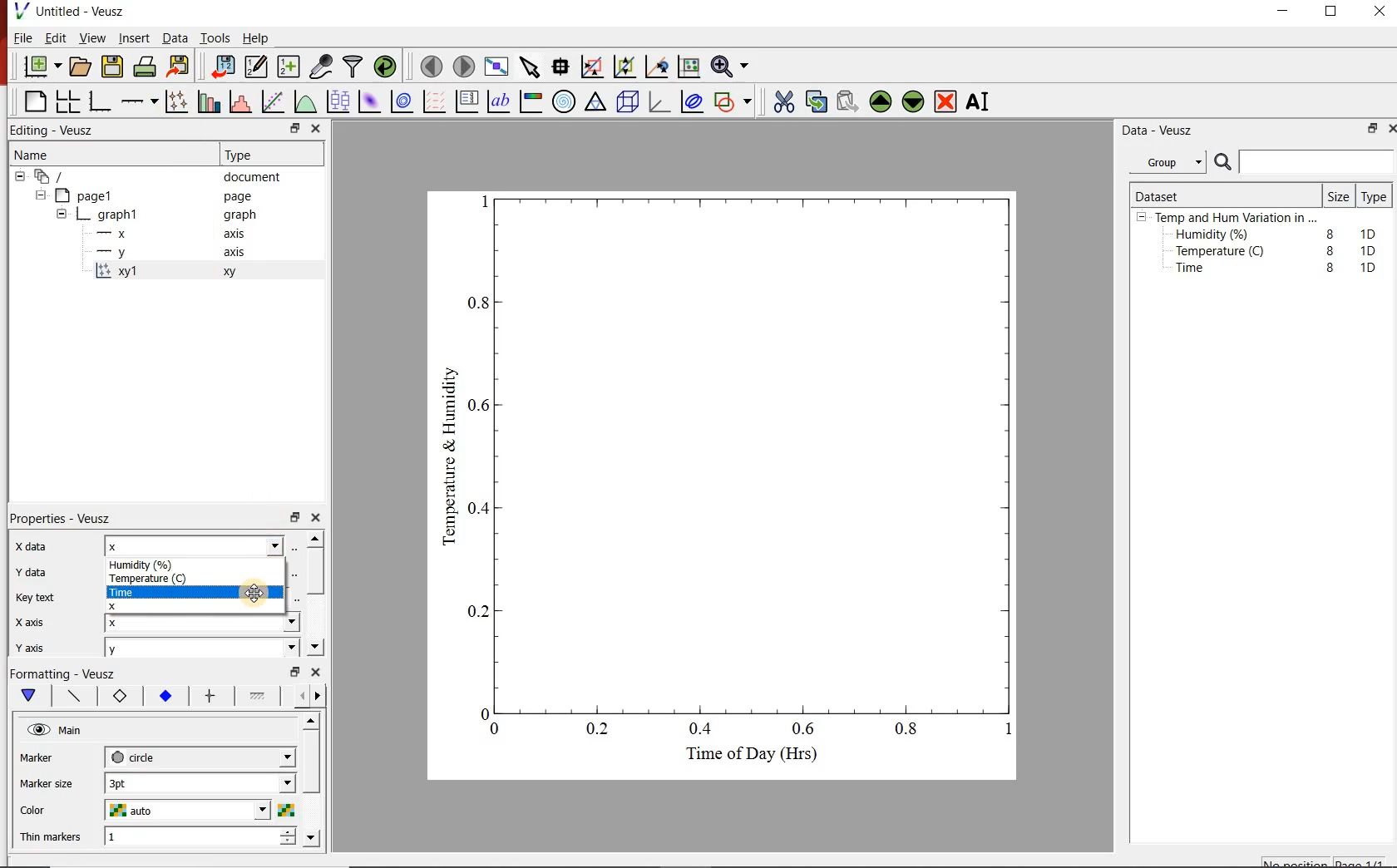 The height and width of the screenshot is (868, 1397). What do you see at coordinates (92, 38) in the screenshot?
I see `View` at bounding box center [92, 38].